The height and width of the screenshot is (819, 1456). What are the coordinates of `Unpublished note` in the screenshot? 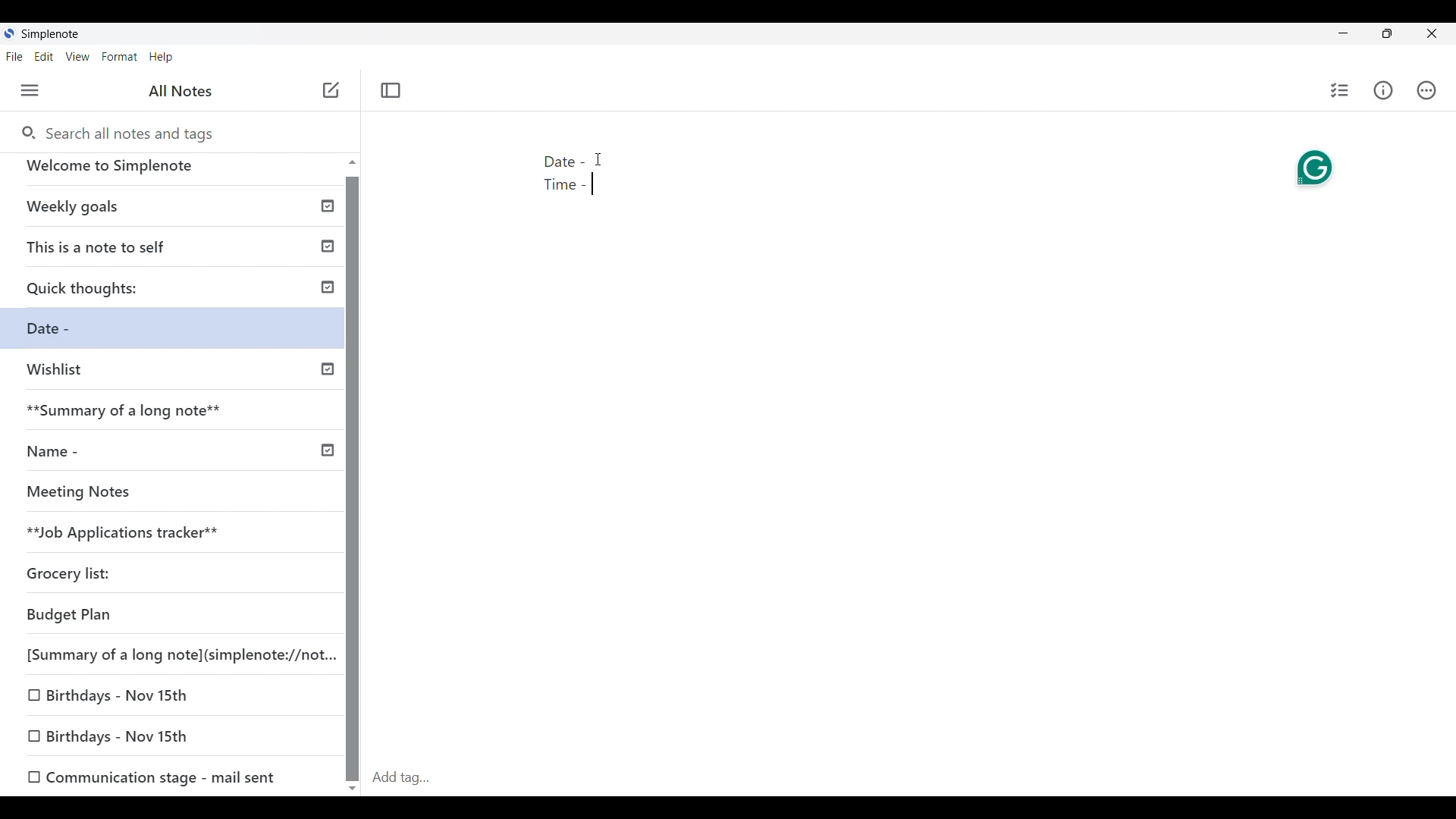 It's located at (118, 692).